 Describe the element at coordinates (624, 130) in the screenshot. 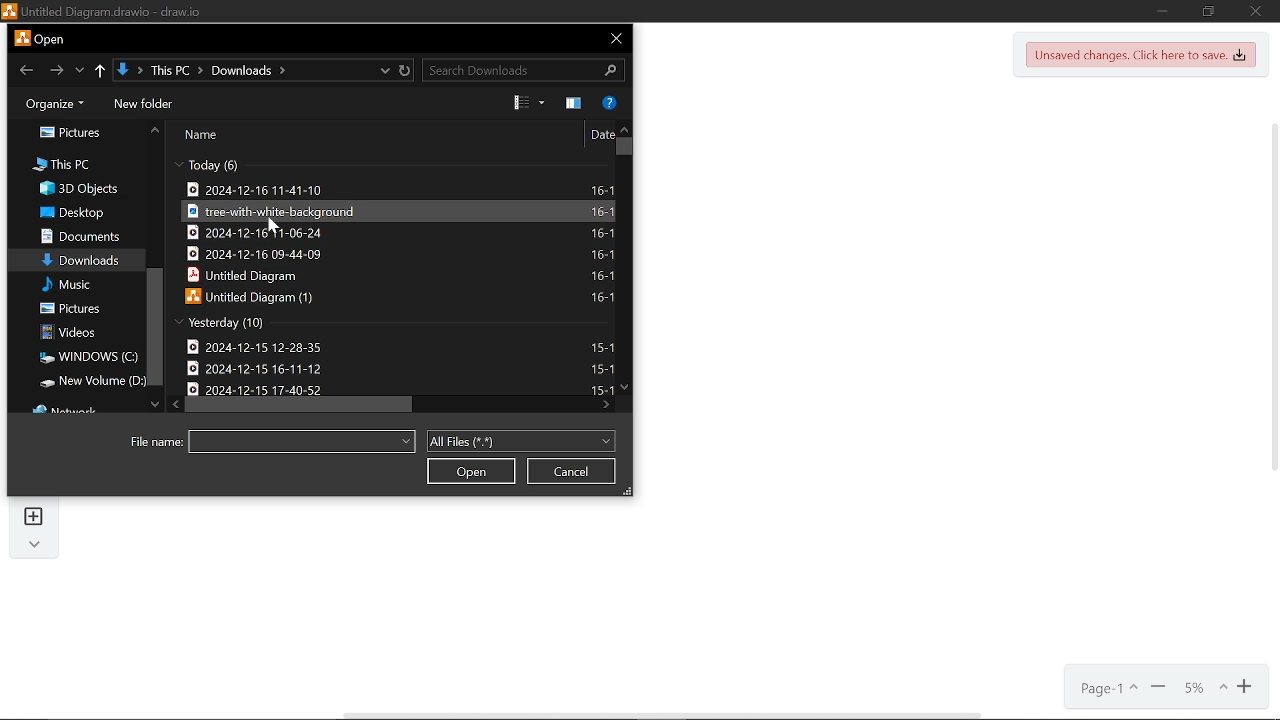

I see `Move up in files` at that location.